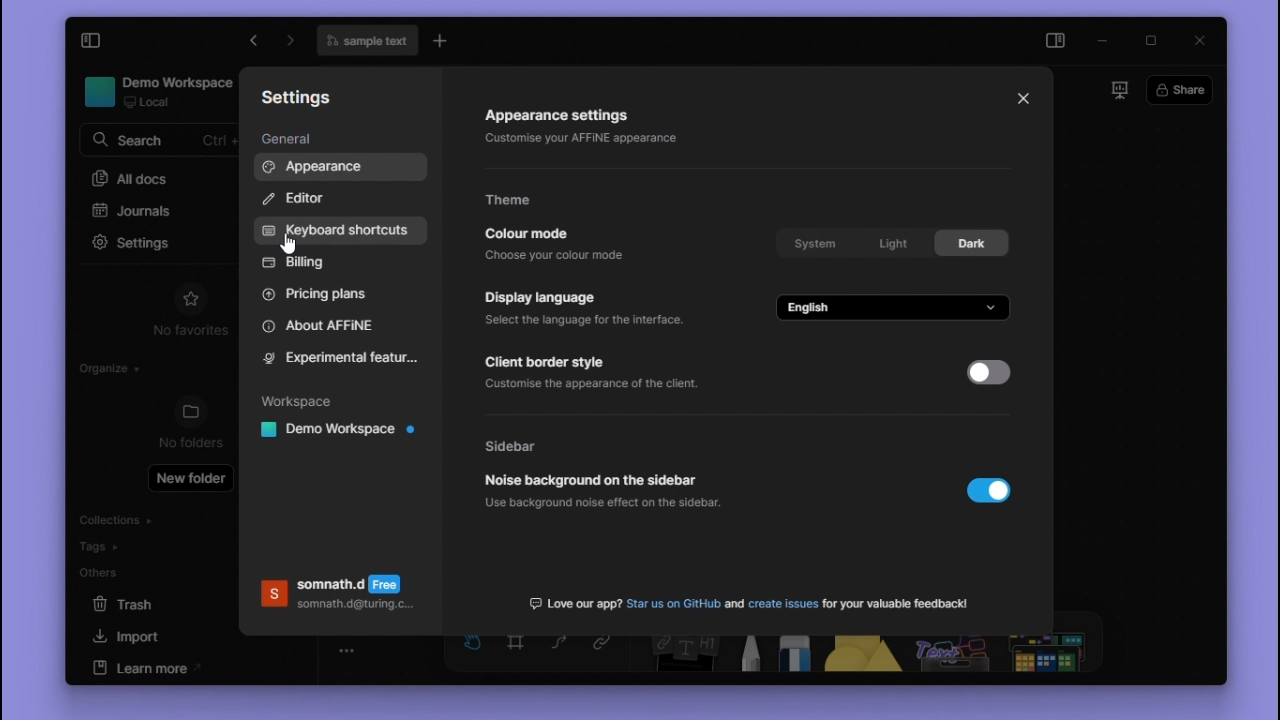 The image size is (1280, 720). What do you see at coordinates (1024, 100) in the screenshot?
I see `Close` at bounding box center [1024, 100].